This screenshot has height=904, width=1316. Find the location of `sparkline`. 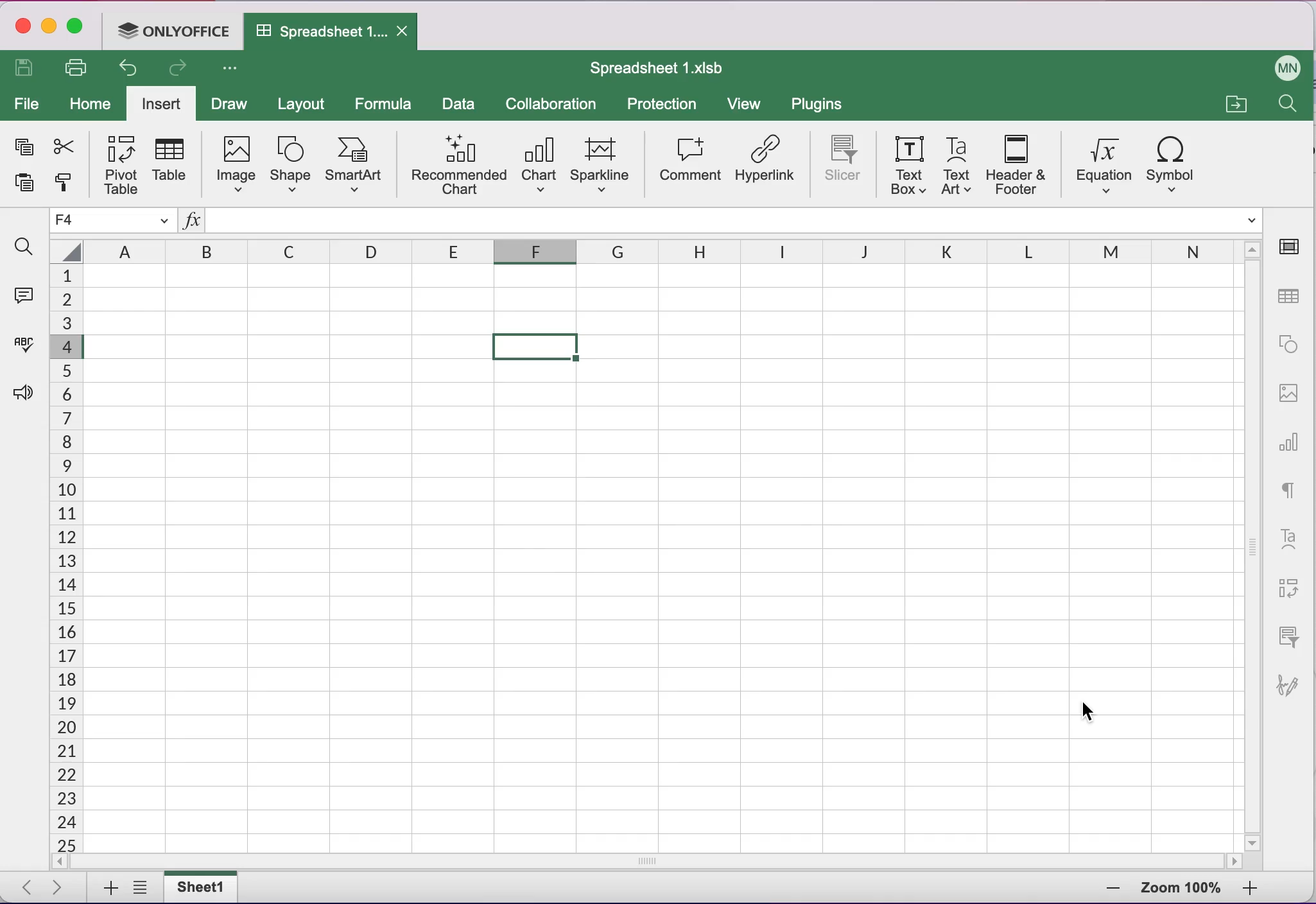

sparkline is located at coordinates (603, 162).